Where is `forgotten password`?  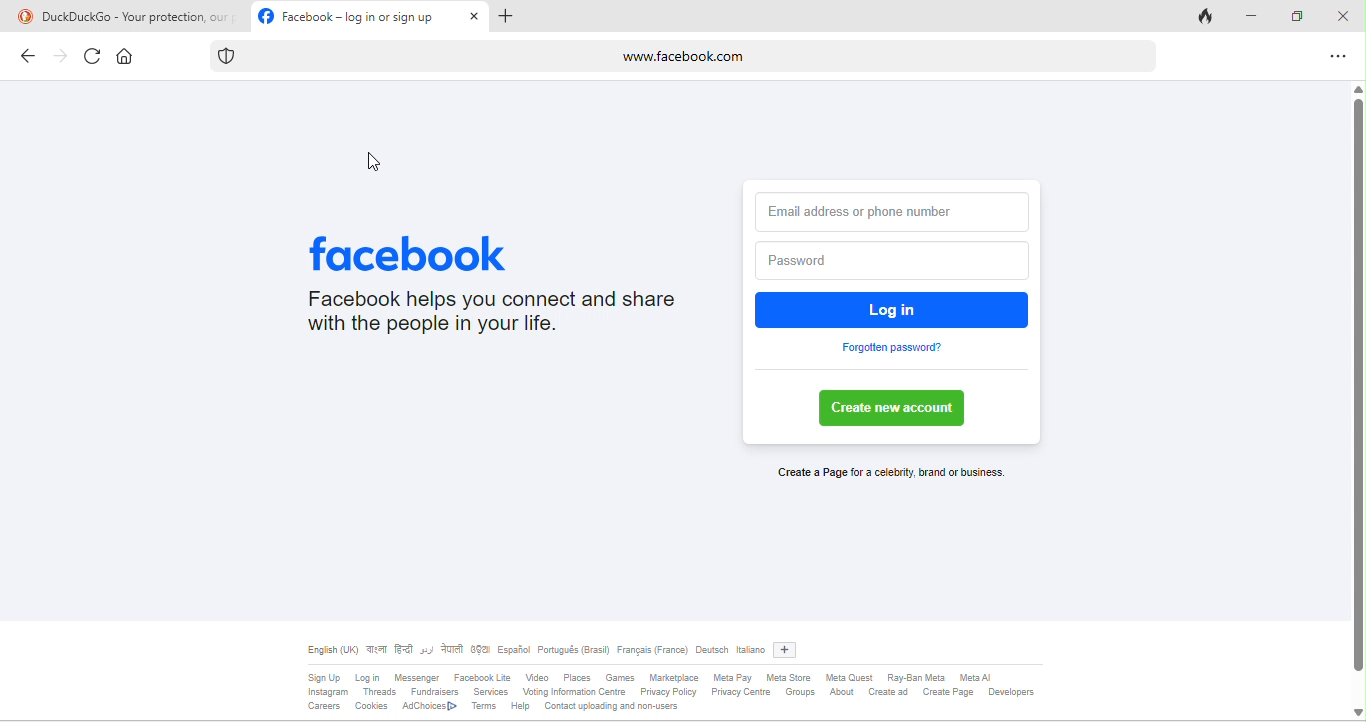
forgotten password is located at coordinates (893, 348).